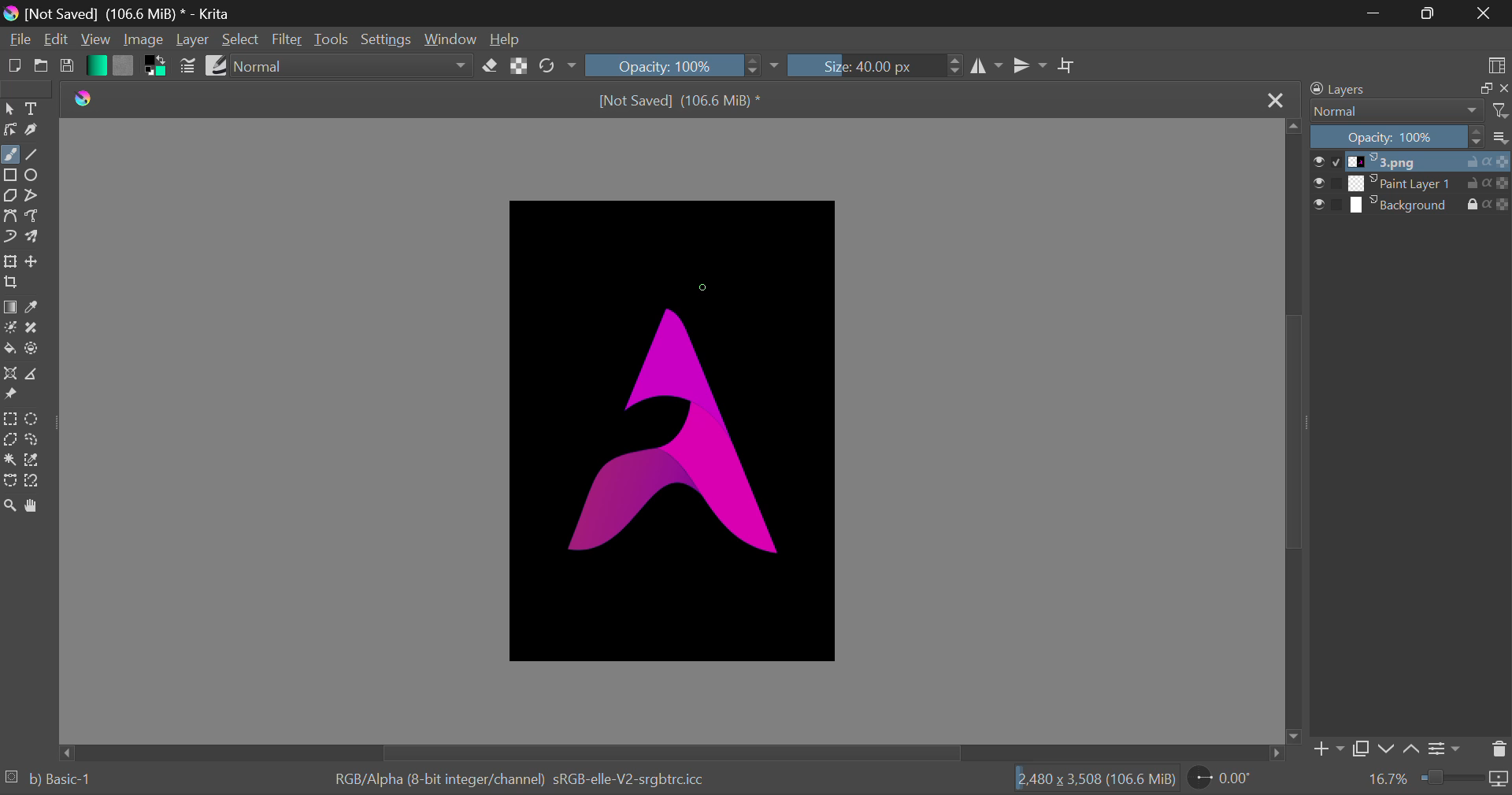  I want to click on Horizontal Mirror Flip, so click(1030, 65).